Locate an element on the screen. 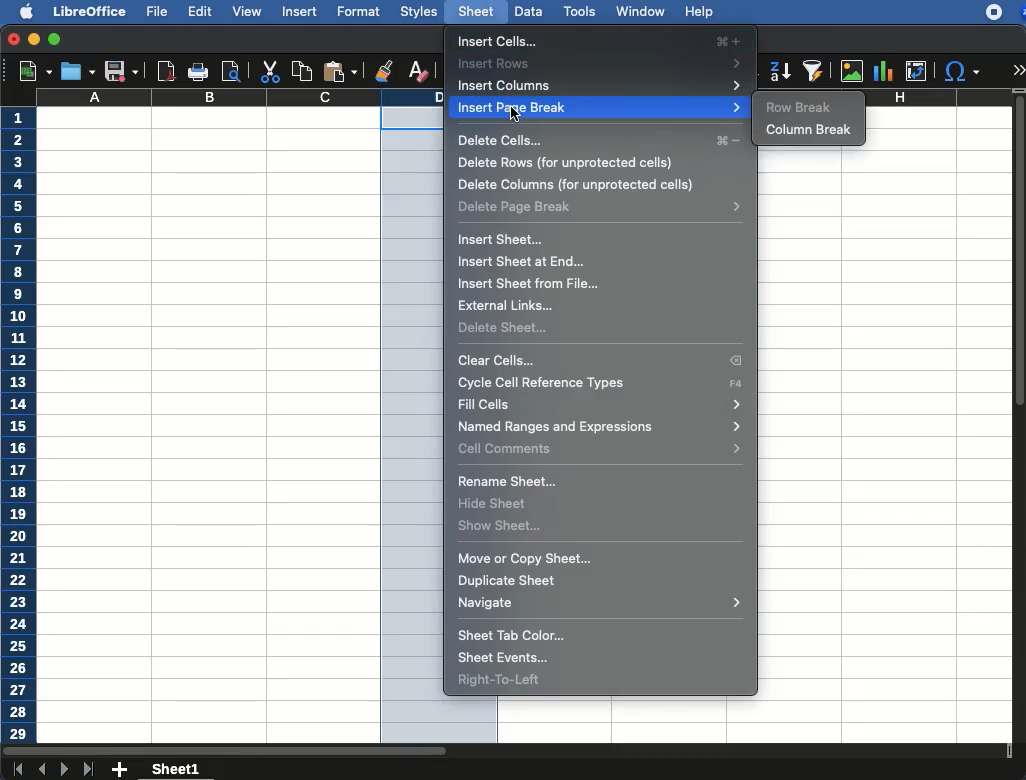 The height and width of the screenshot is (780, 1026). last sheet is located at coordinates (90, 770).